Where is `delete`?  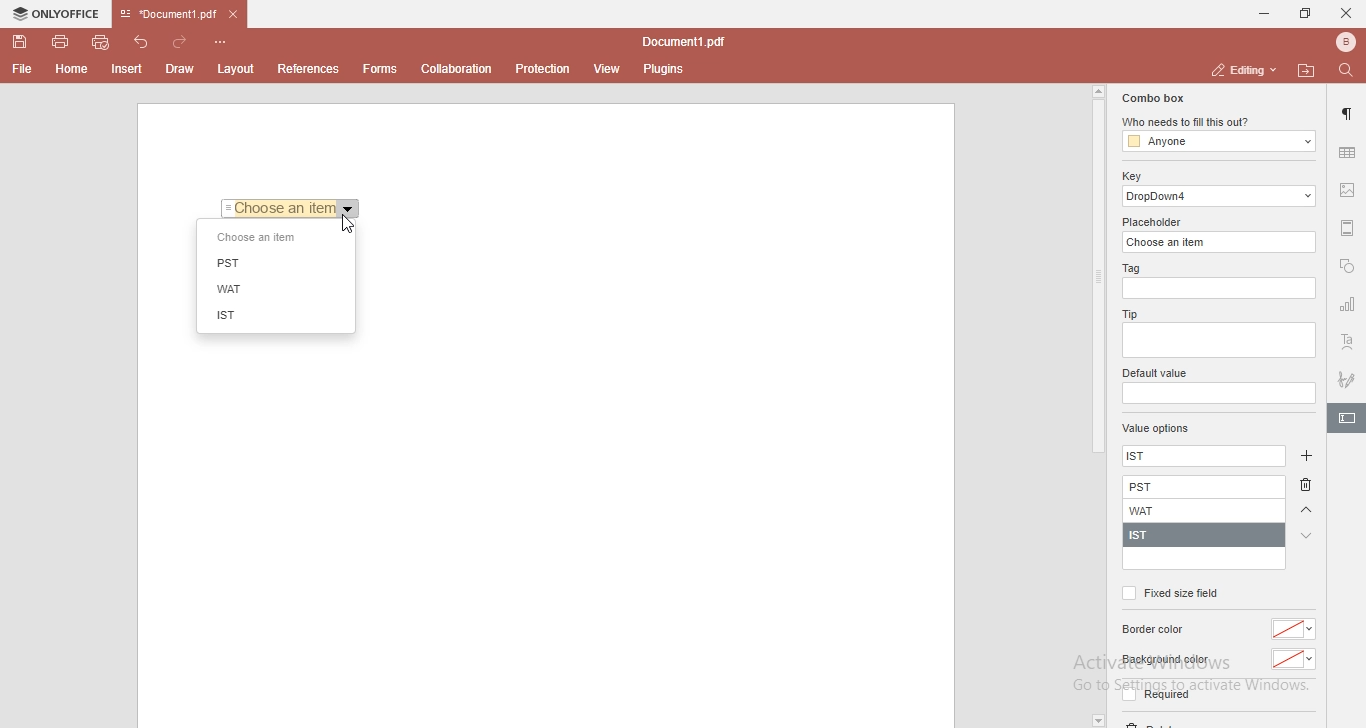
delete is located at coordinates (1310, 488).